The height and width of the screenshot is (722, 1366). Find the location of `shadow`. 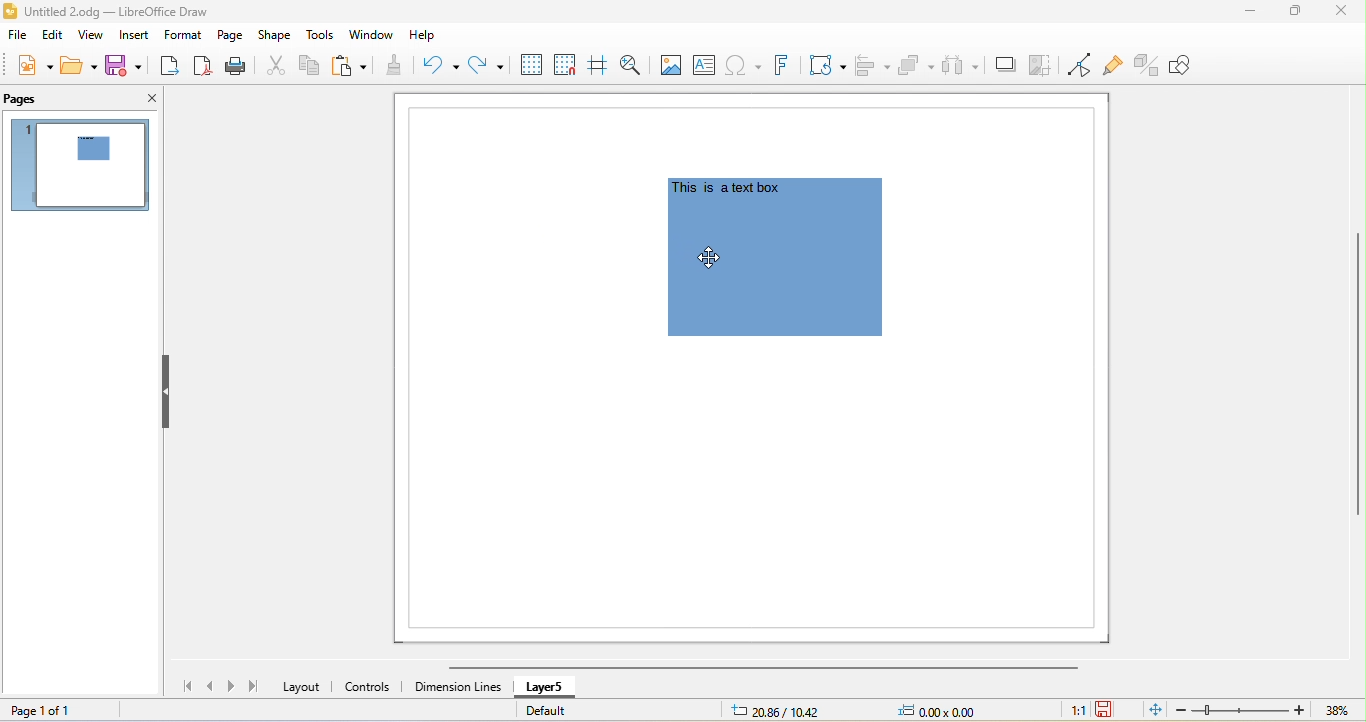

shadow is located at coordinates (1008, 63).